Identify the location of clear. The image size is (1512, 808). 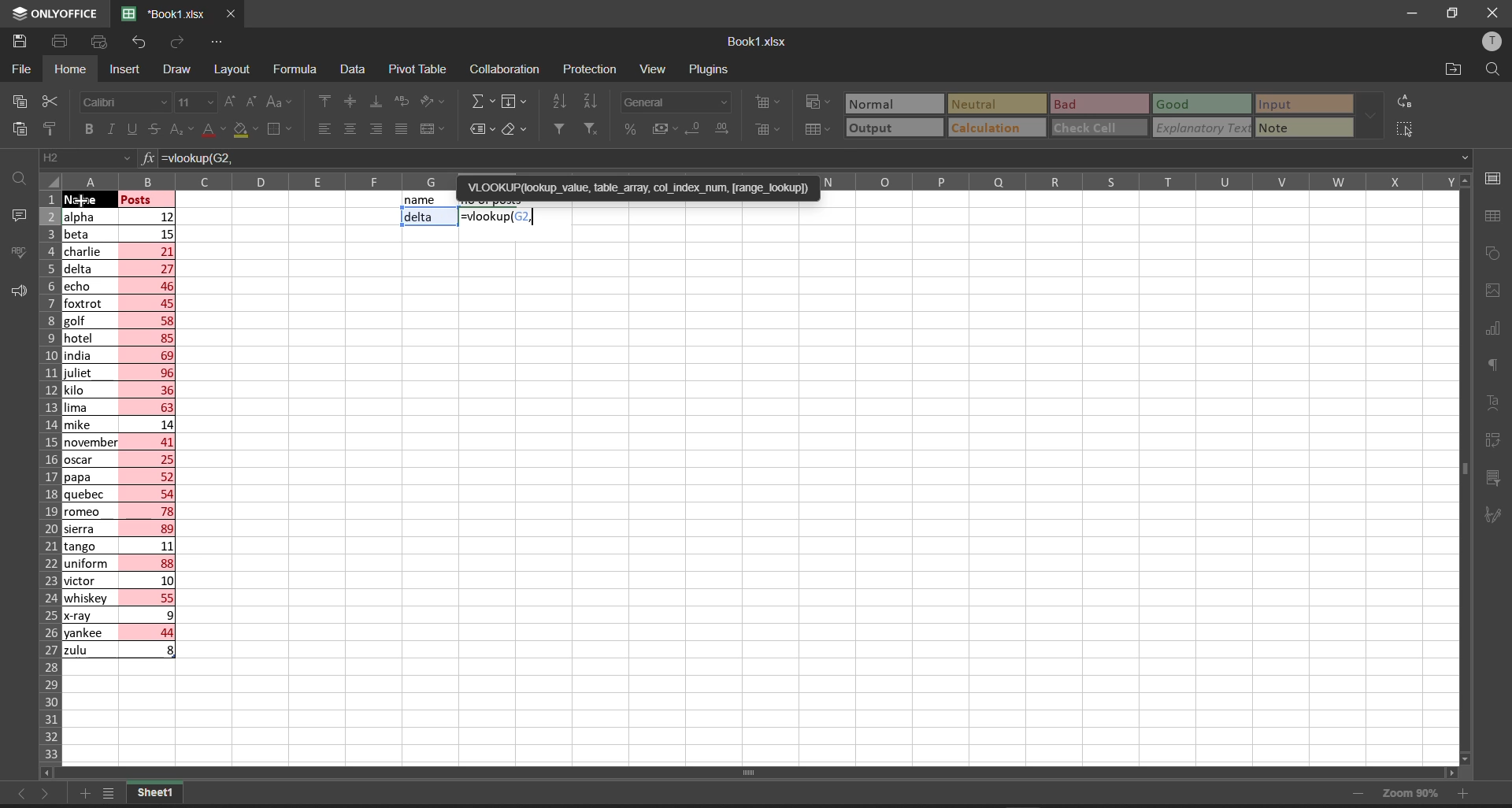
(515, 130).